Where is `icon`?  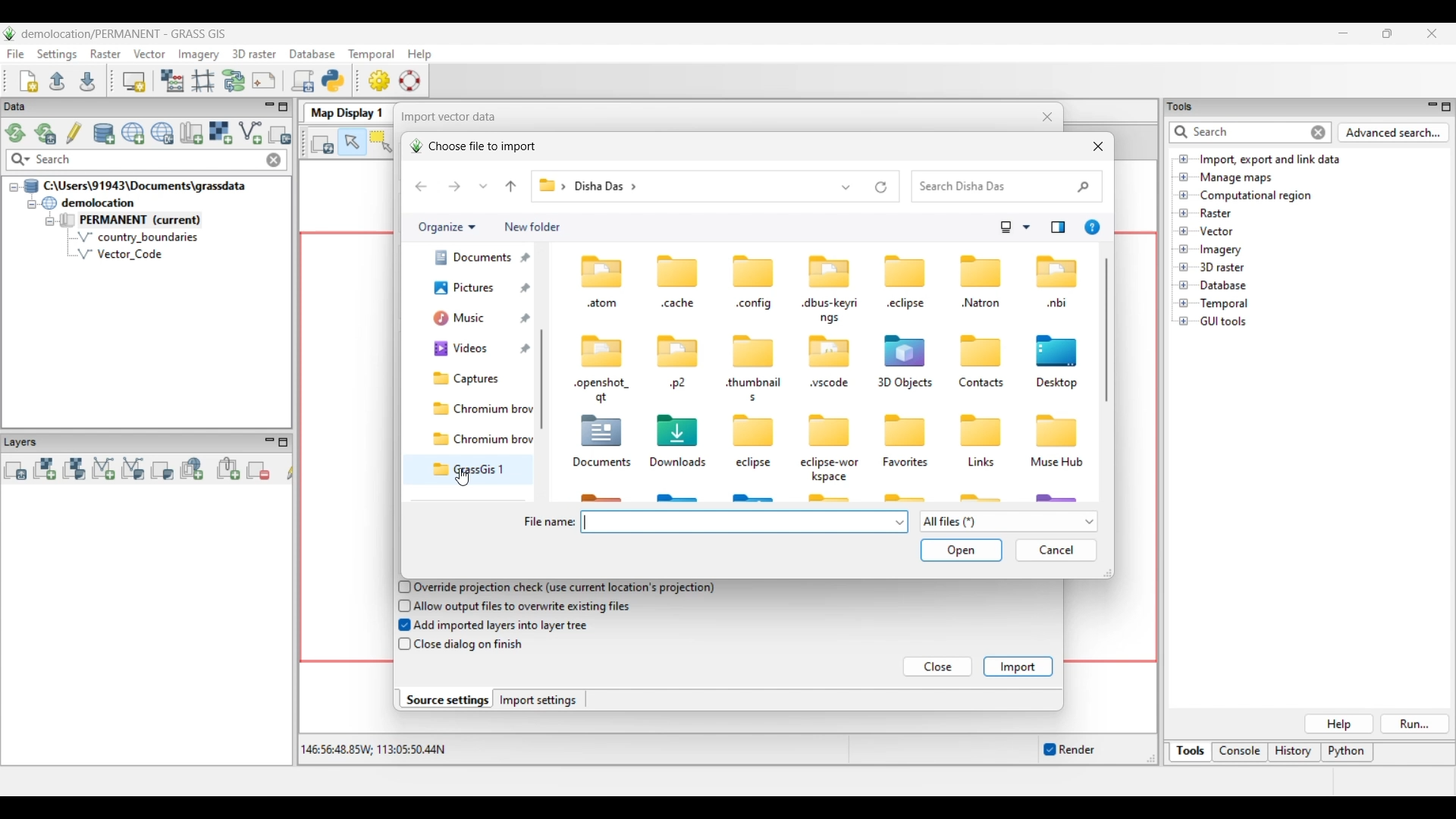
icon is located at coordinates (830, 270).